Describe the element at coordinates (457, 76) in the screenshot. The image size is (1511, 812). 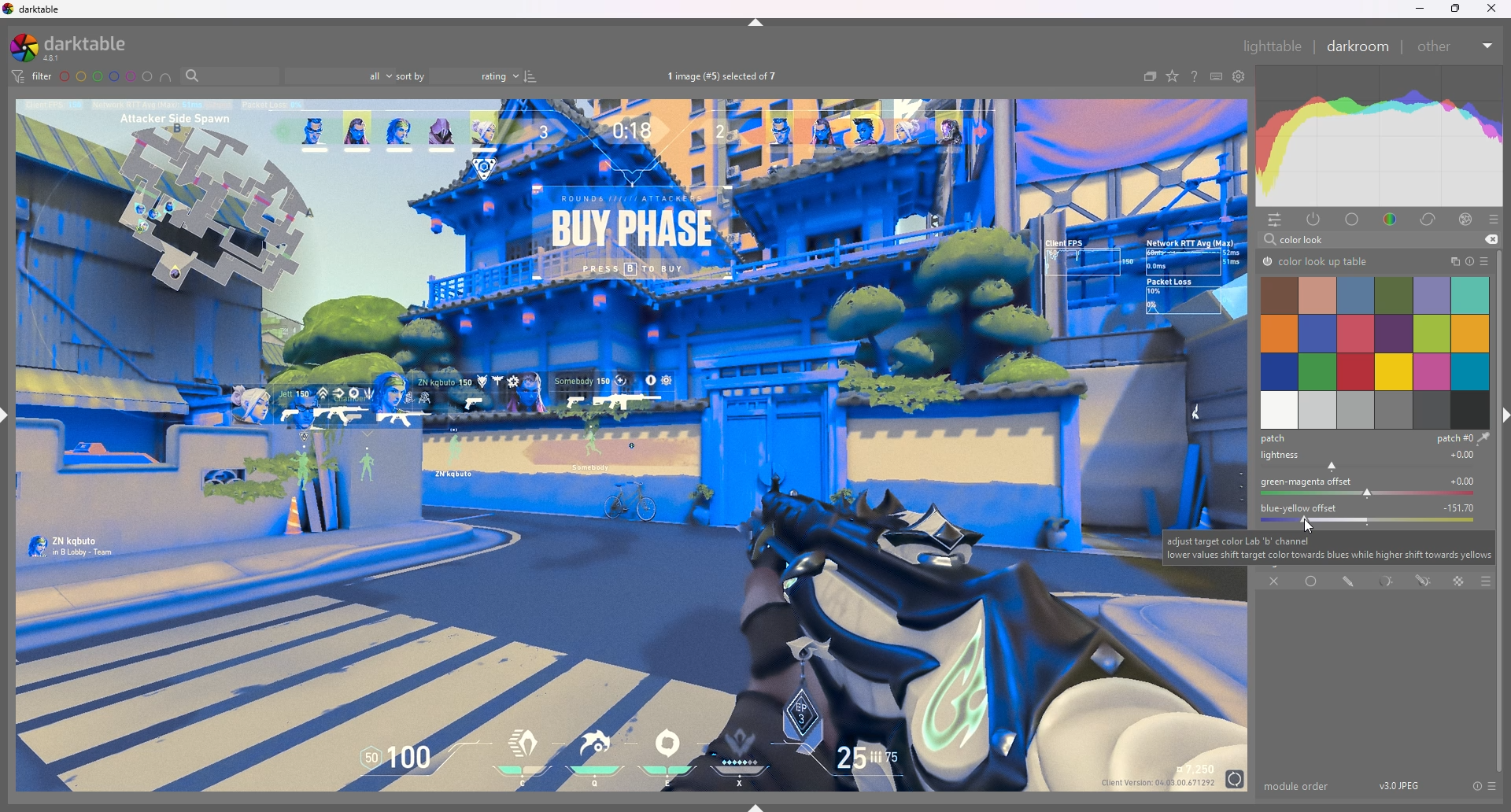
I see `sort by` at that location.